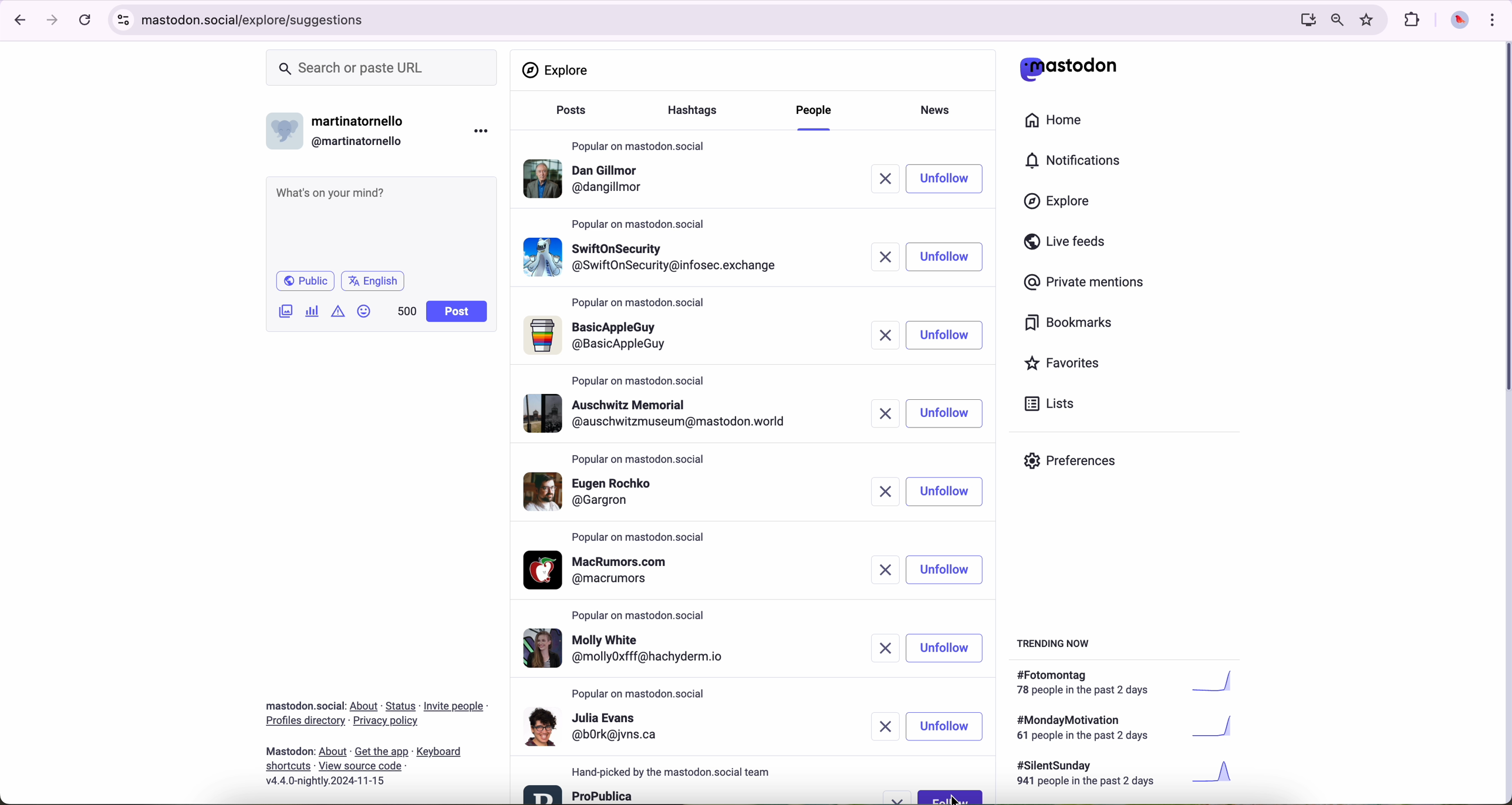  Describe the element at coordinates (662, 413) in the screenshot. I see `profile` at that location.